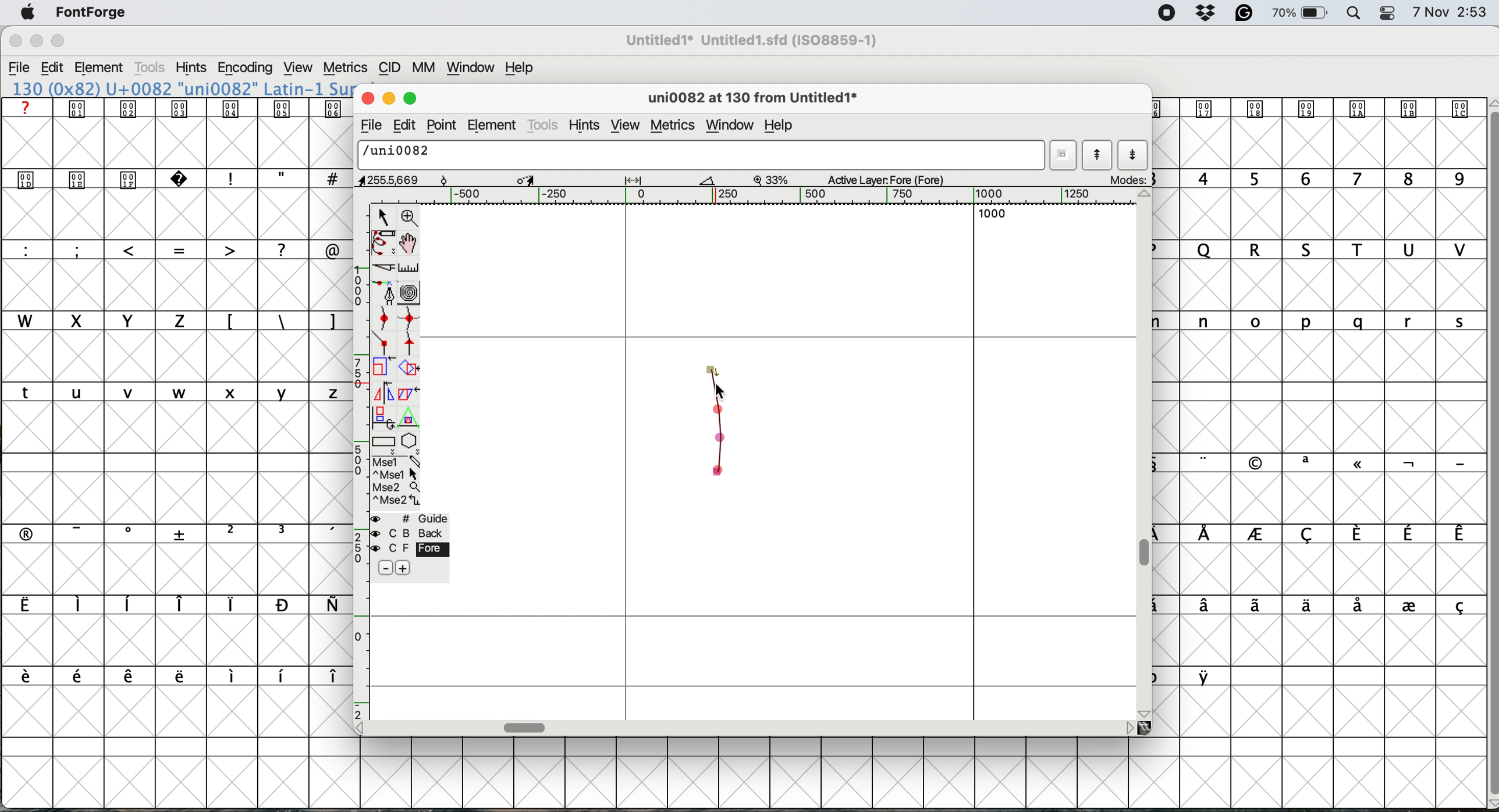  Describe the element at coordinates (411, 346) in the screenshot. I see `add a tangent point` at that location.